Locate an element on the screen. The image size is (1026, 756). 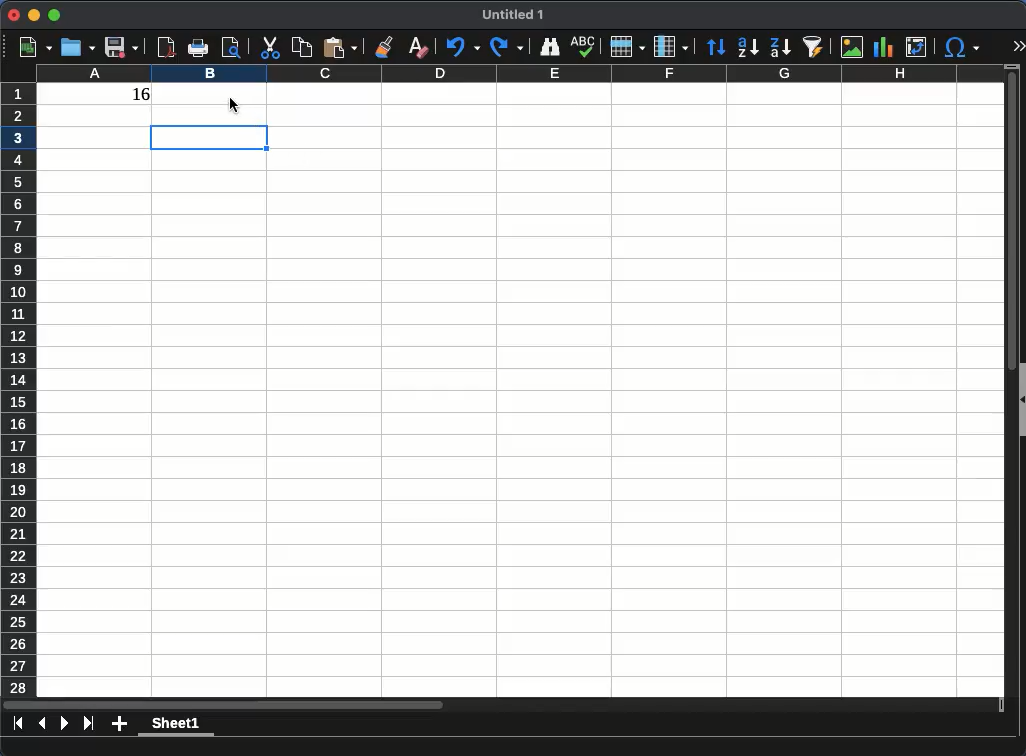
pdf preview is located at coordinates (167, 47).